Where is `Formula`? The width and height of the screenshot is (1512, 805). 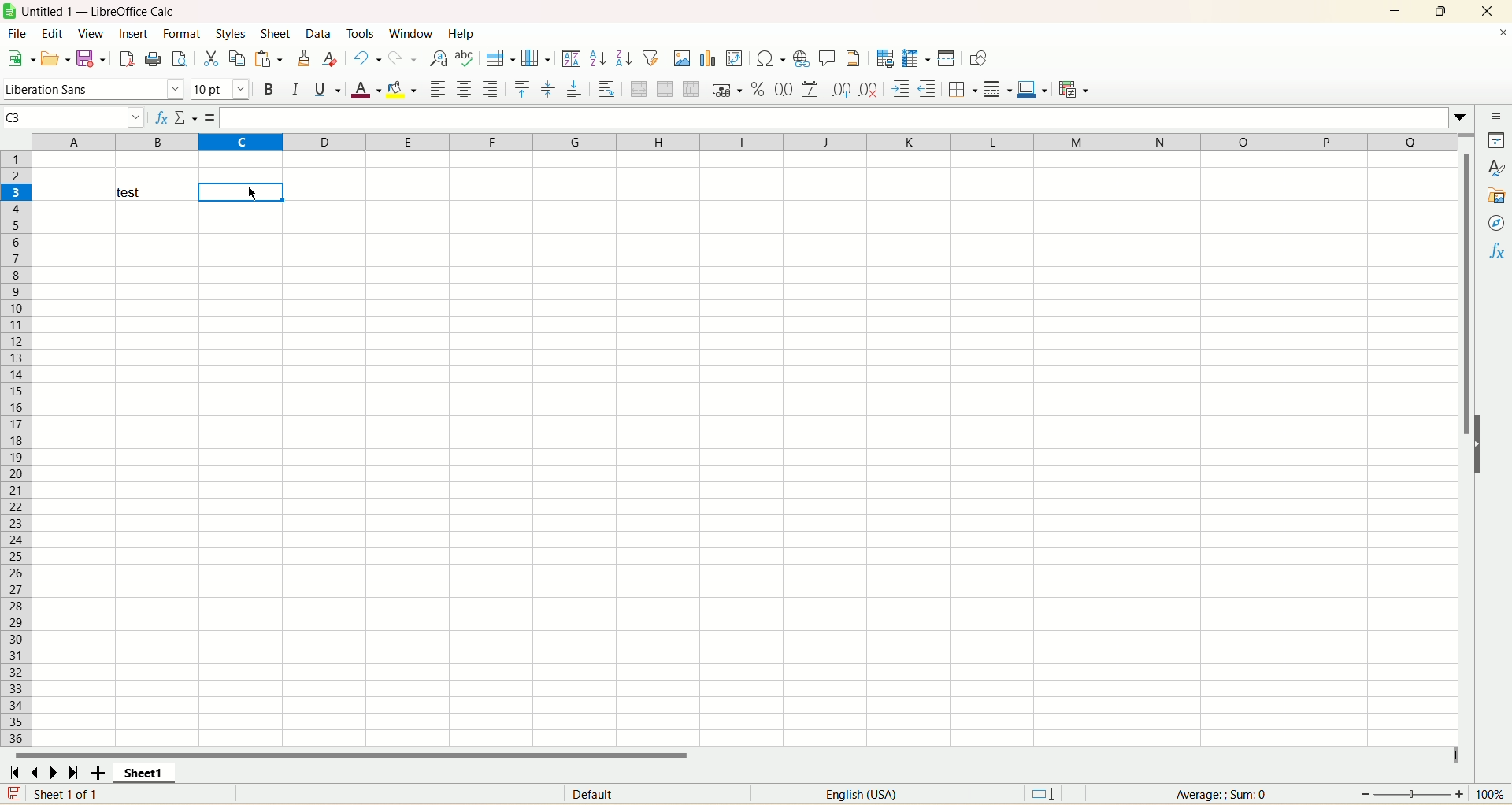
Formula is located at coordinates (210, 118).